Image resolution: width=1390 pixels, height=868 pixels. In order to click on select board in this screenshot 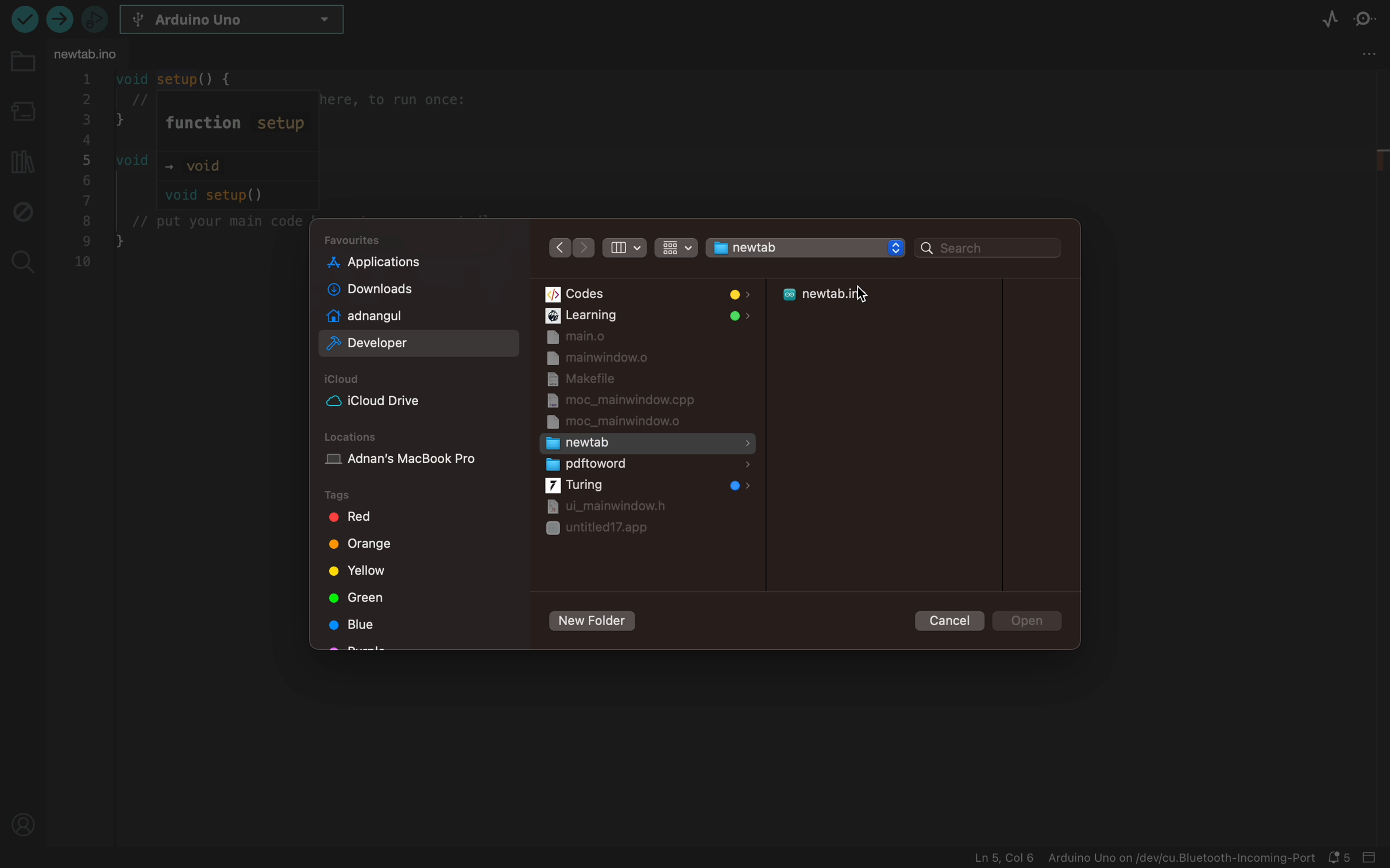, I will do `click(242, 21)`.